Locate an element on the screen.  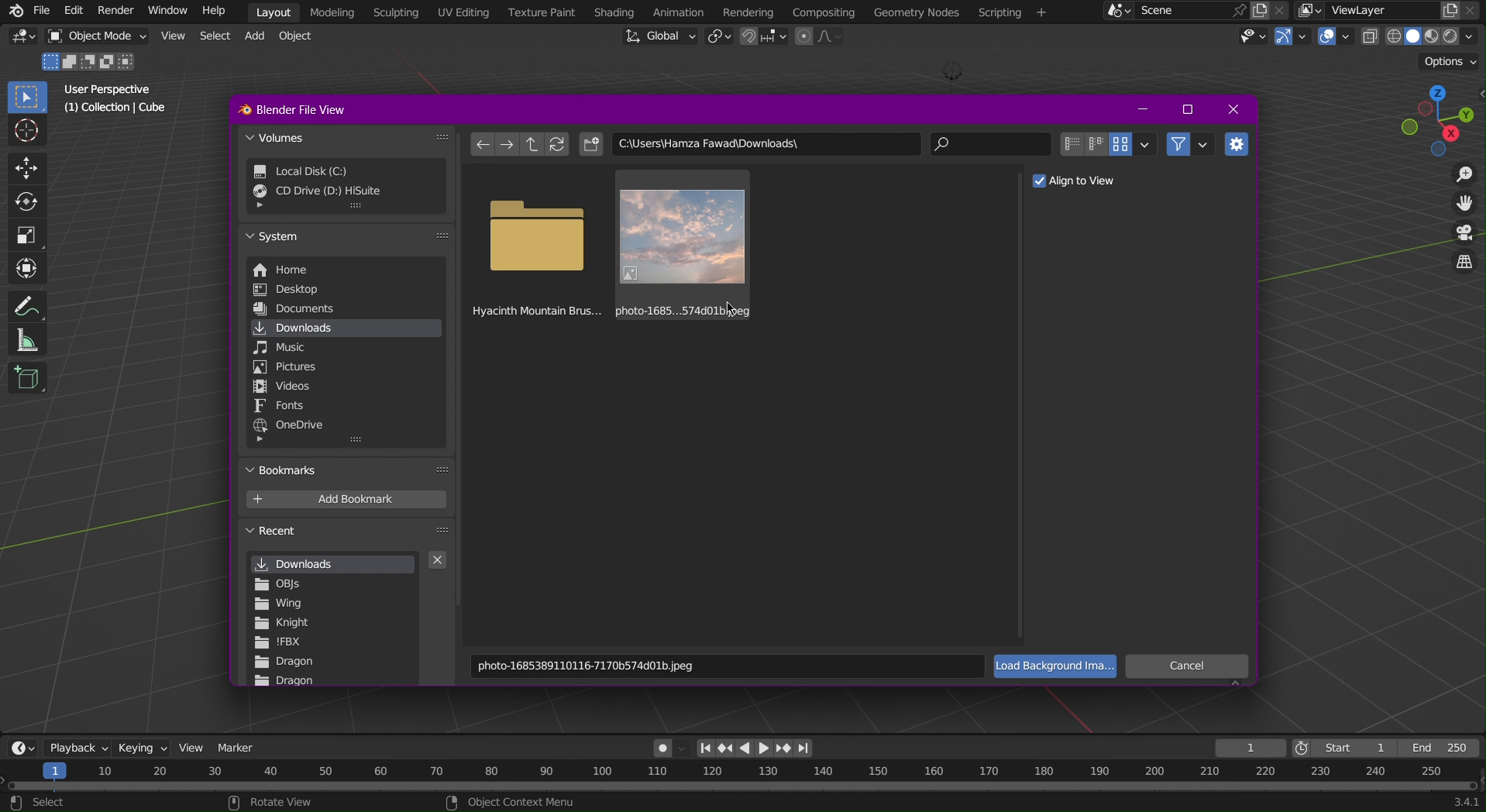
Object is located at coordinates (301, 39).